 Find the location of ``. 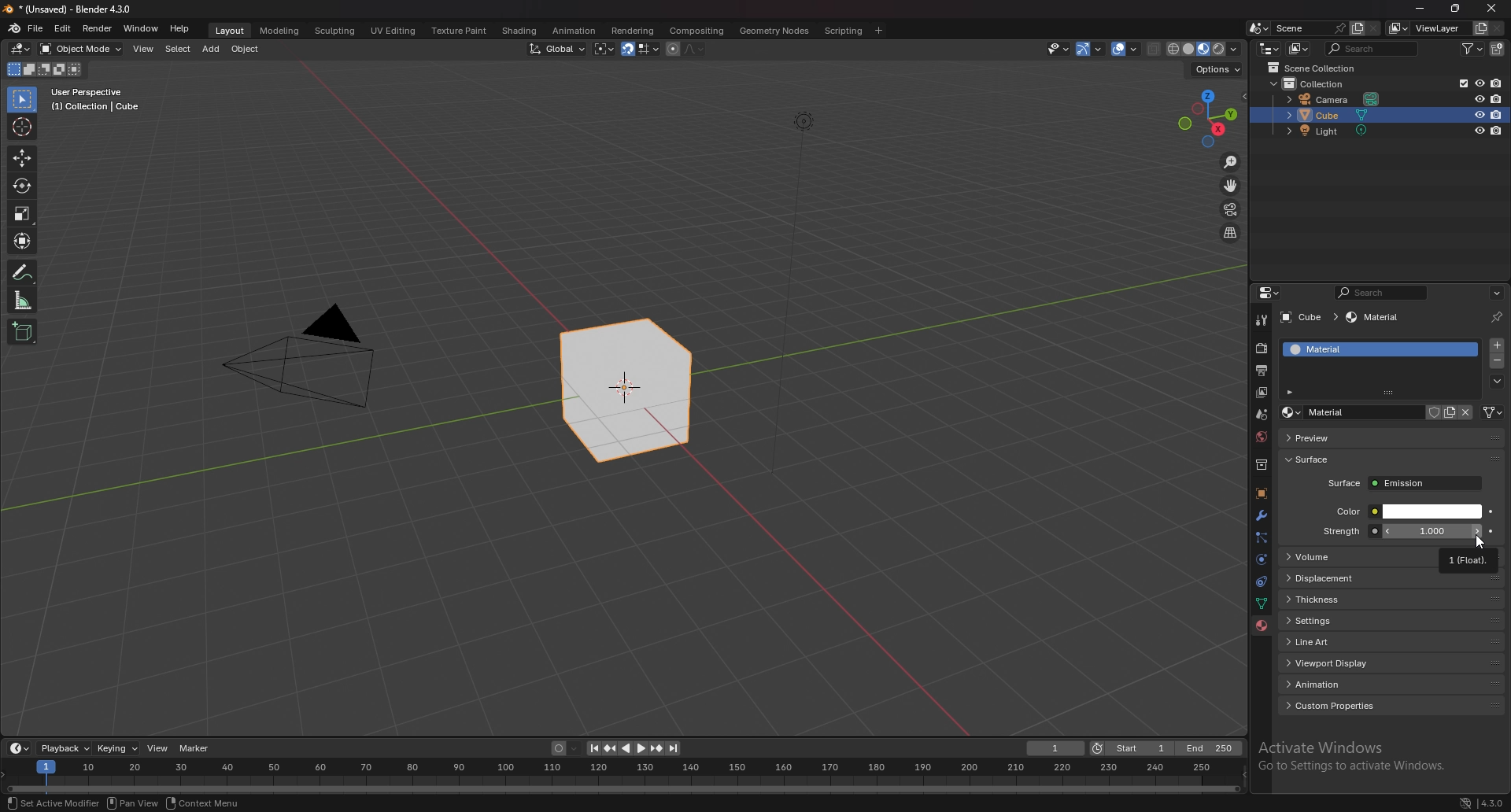

 is located at coordinates (1493, 10).